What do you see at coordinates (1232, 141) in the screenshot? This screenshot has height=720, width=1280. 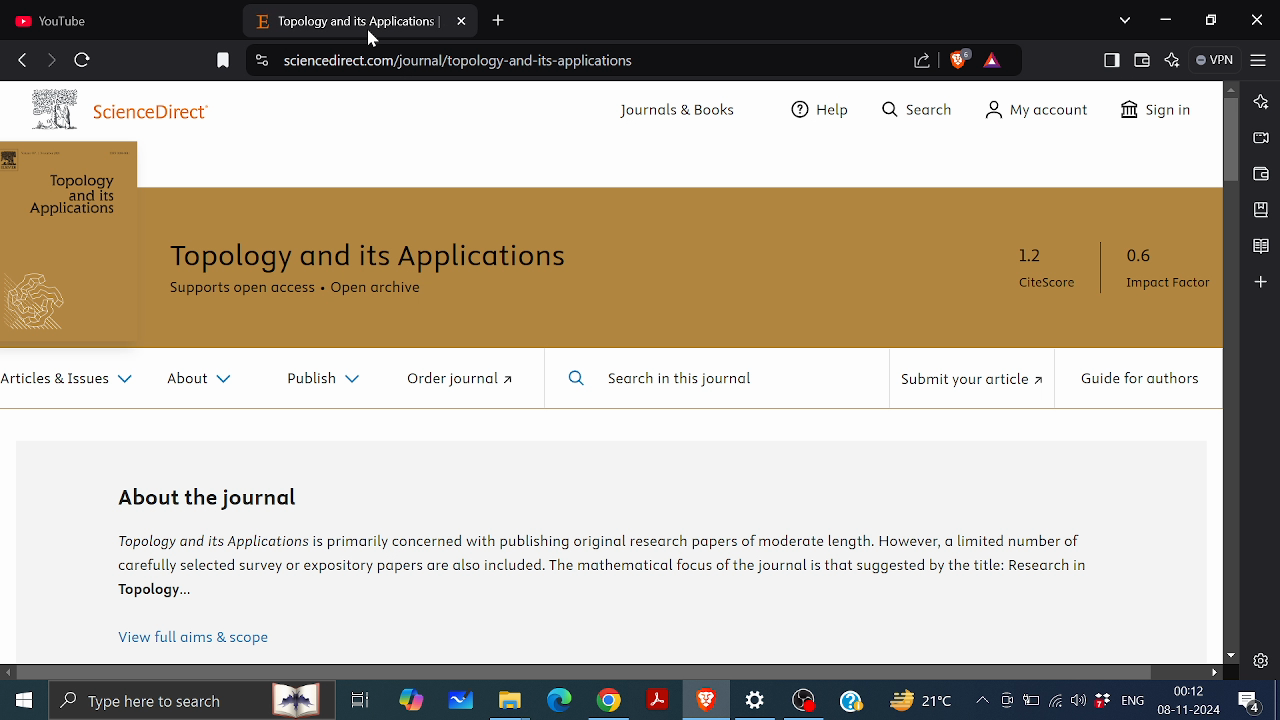 I see `Vertical scroll bar` at bounding box center [1232, 141].